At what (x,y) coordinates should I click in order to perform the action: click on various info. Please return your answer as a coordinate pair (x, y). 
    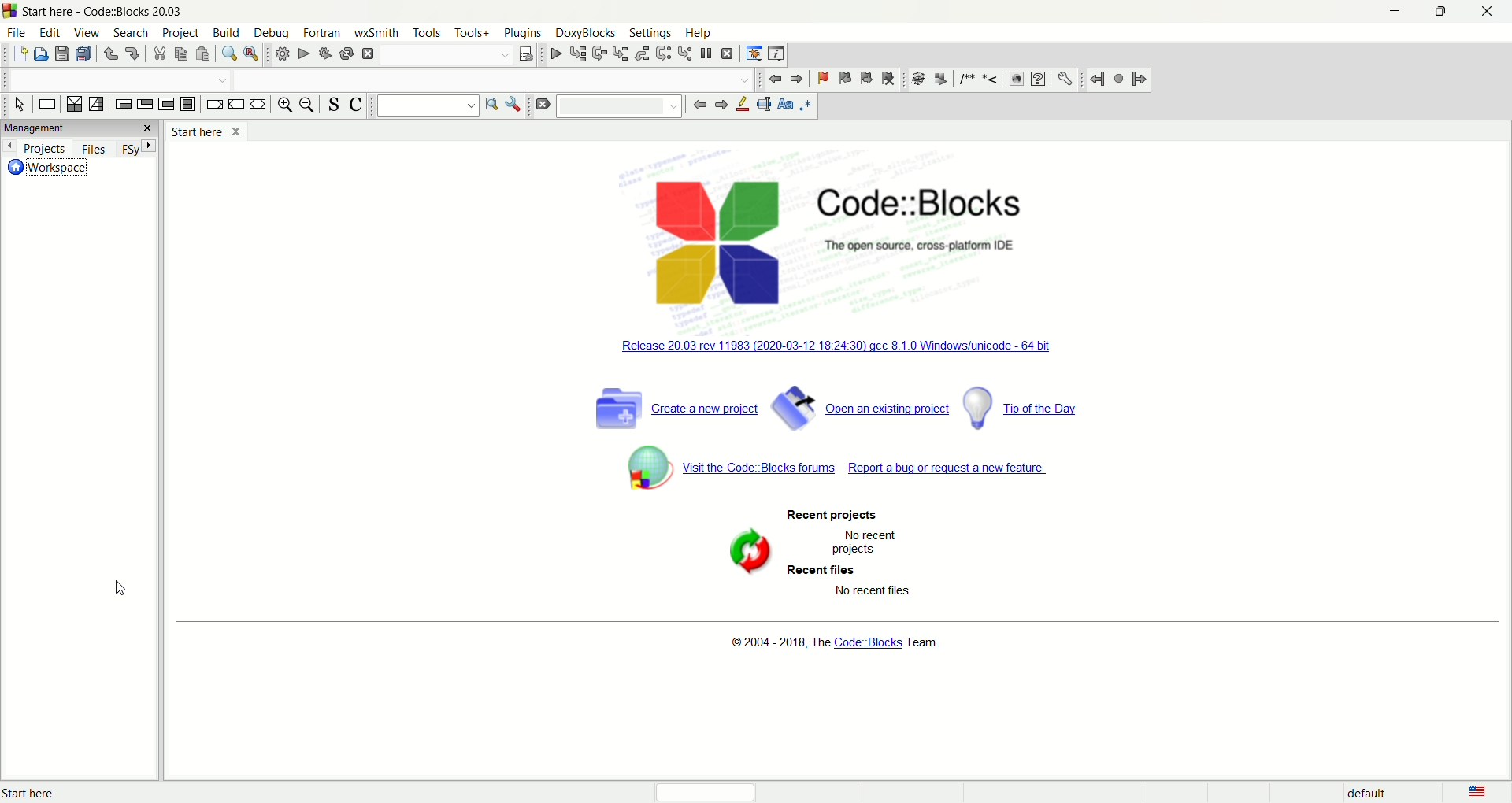
    Looking at the image, I should click on (779, 54).